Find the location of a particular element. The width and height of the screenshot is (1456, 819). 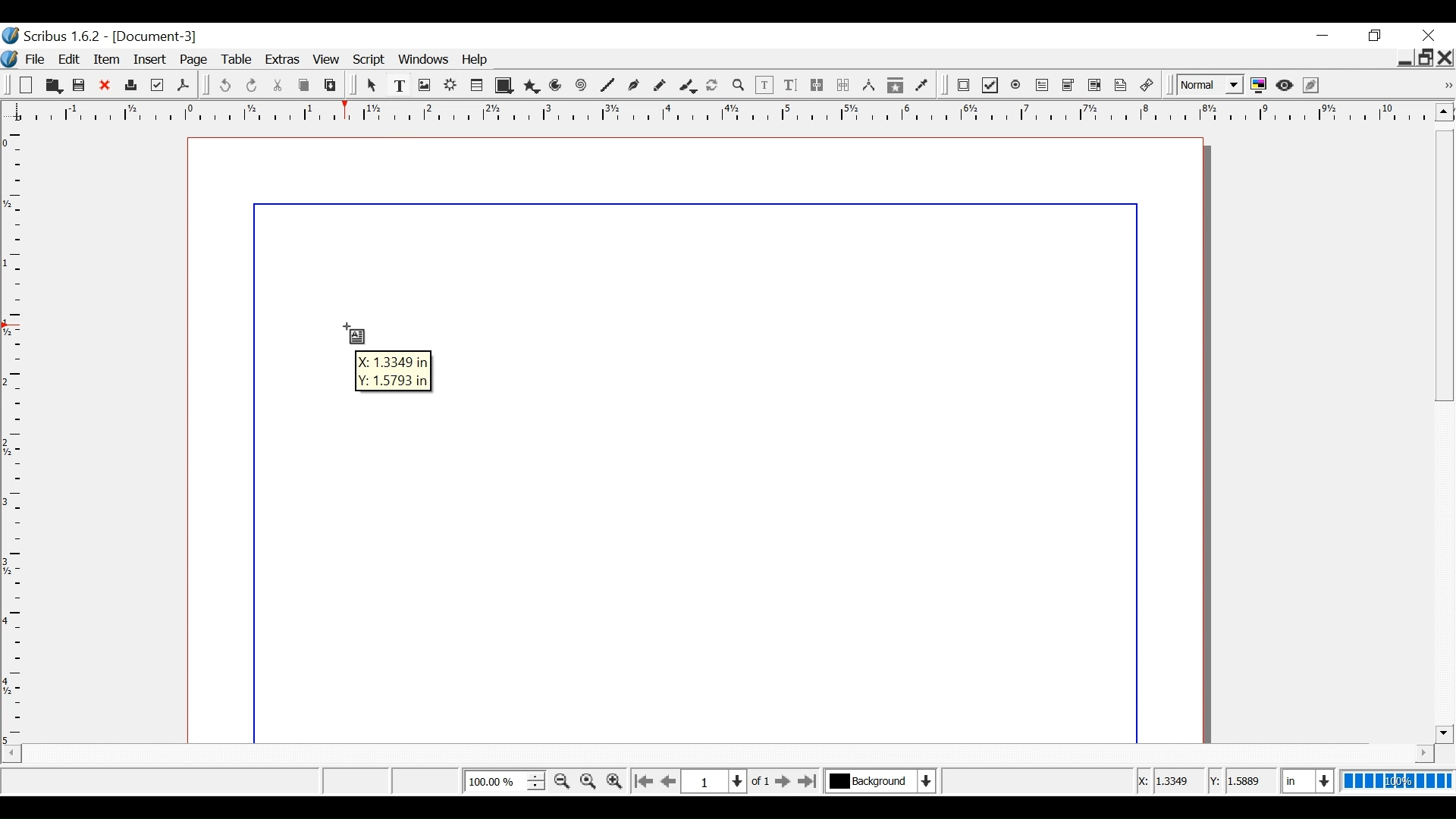

Save is located at coordinates (80, 84).